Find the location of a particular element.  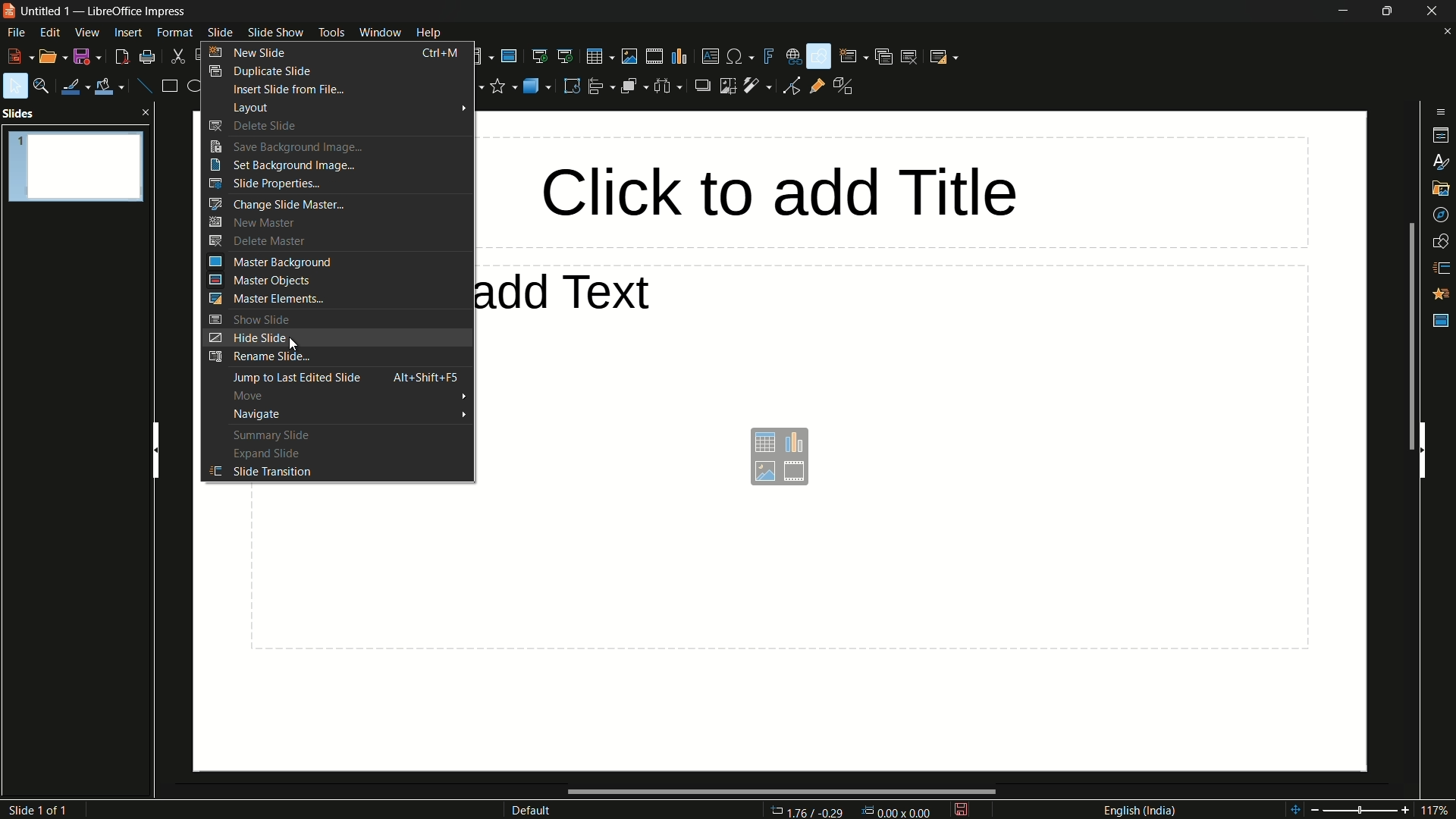

save background images is located at coordinates (287, 147).